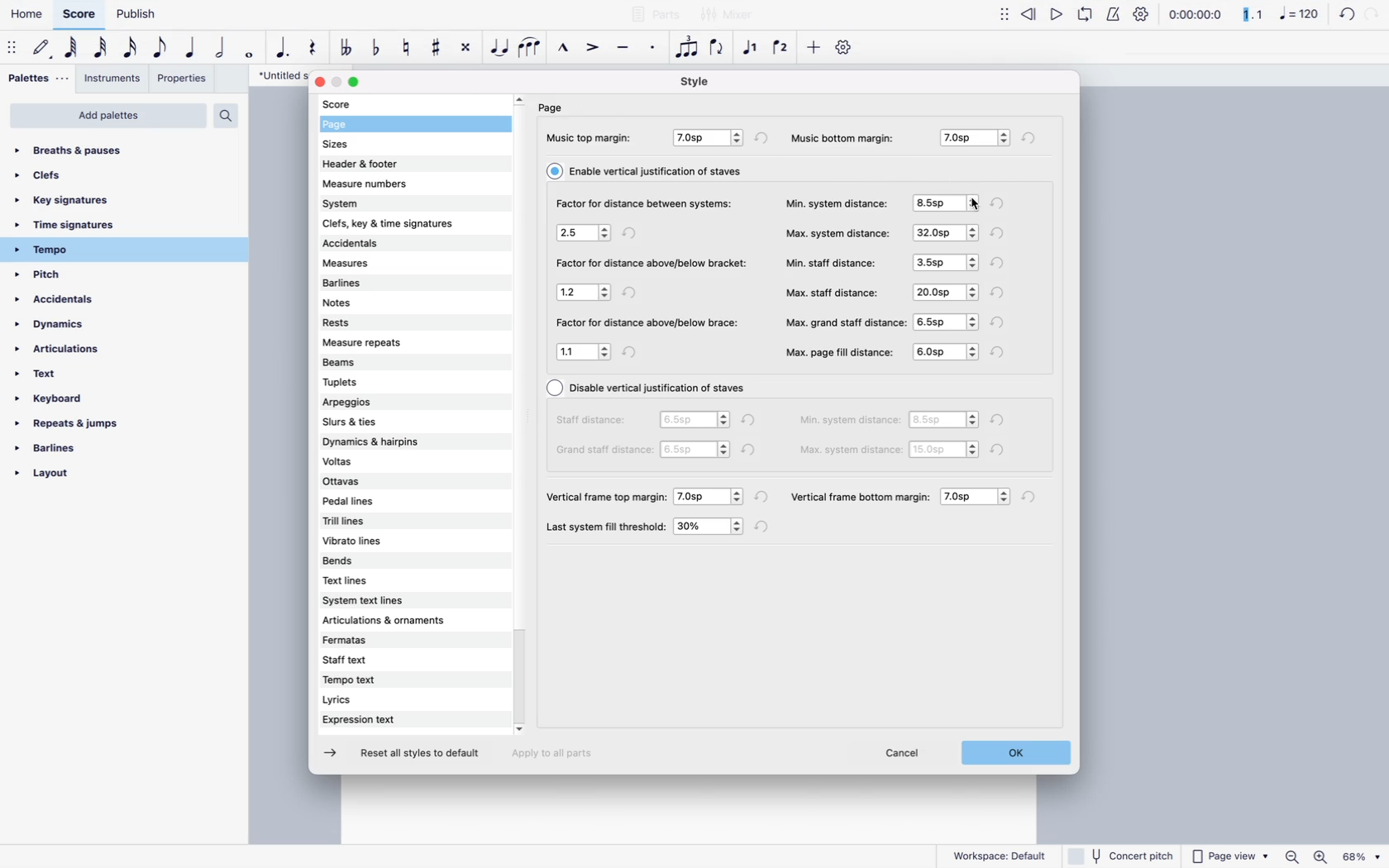 Image resolution: width=1389 pixels, height=868 pixels. I want to click on augmentation dot, so click(285, 49).